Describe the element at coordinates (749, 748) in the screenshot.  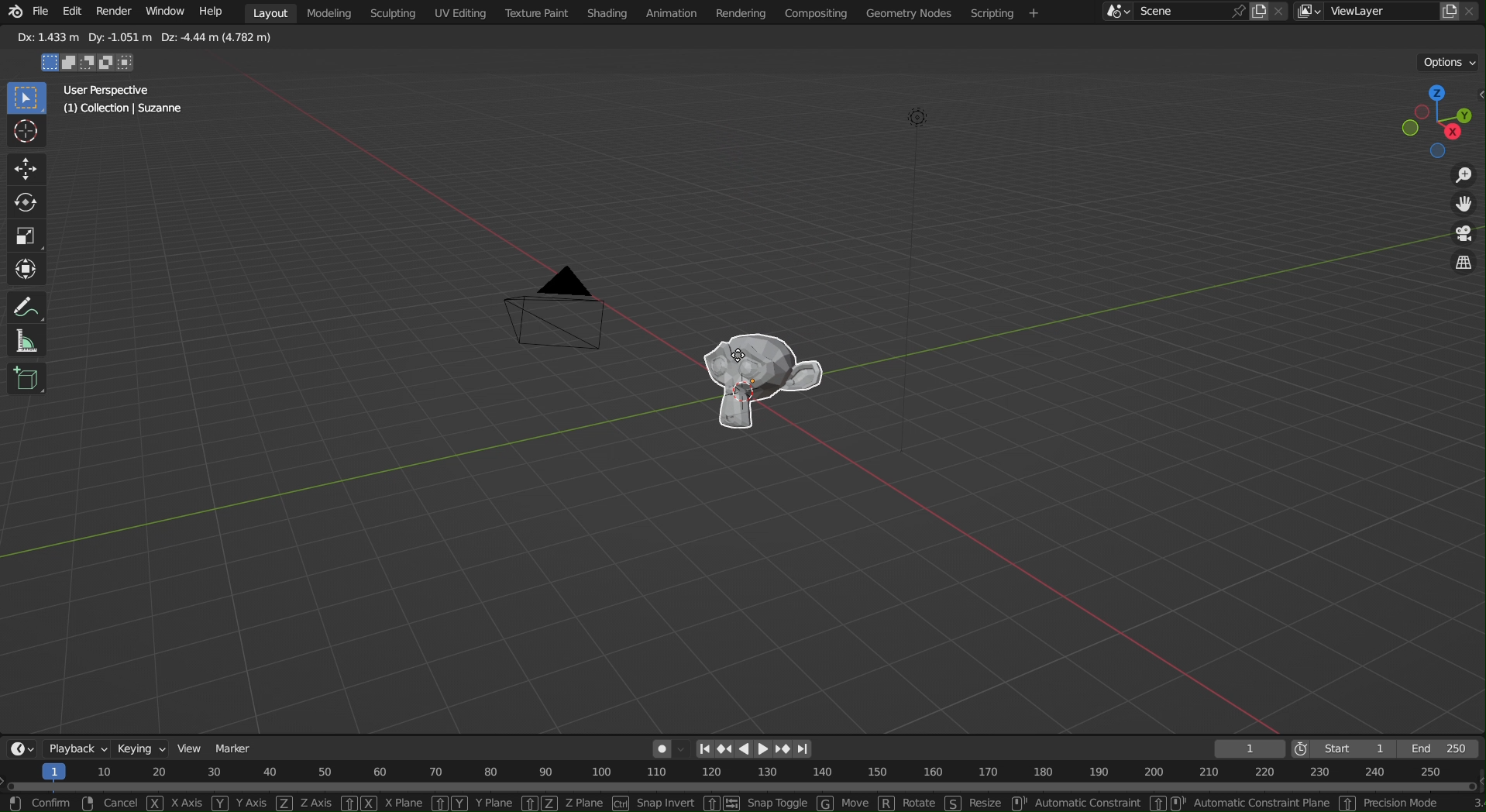
I see `left` at that location.